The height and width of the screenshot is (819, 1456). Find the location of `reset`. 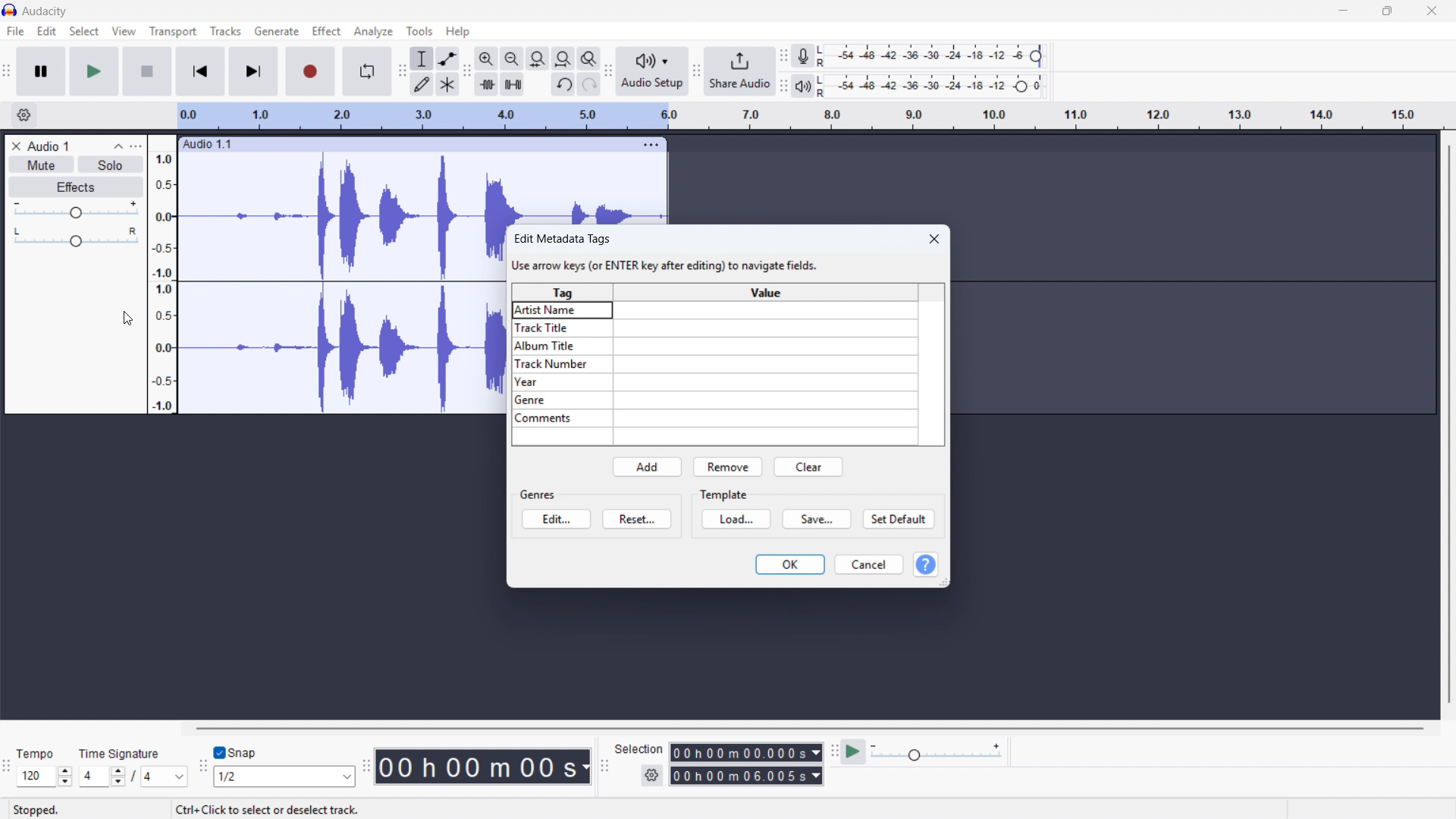

reset is located at coordinates (638, 519).